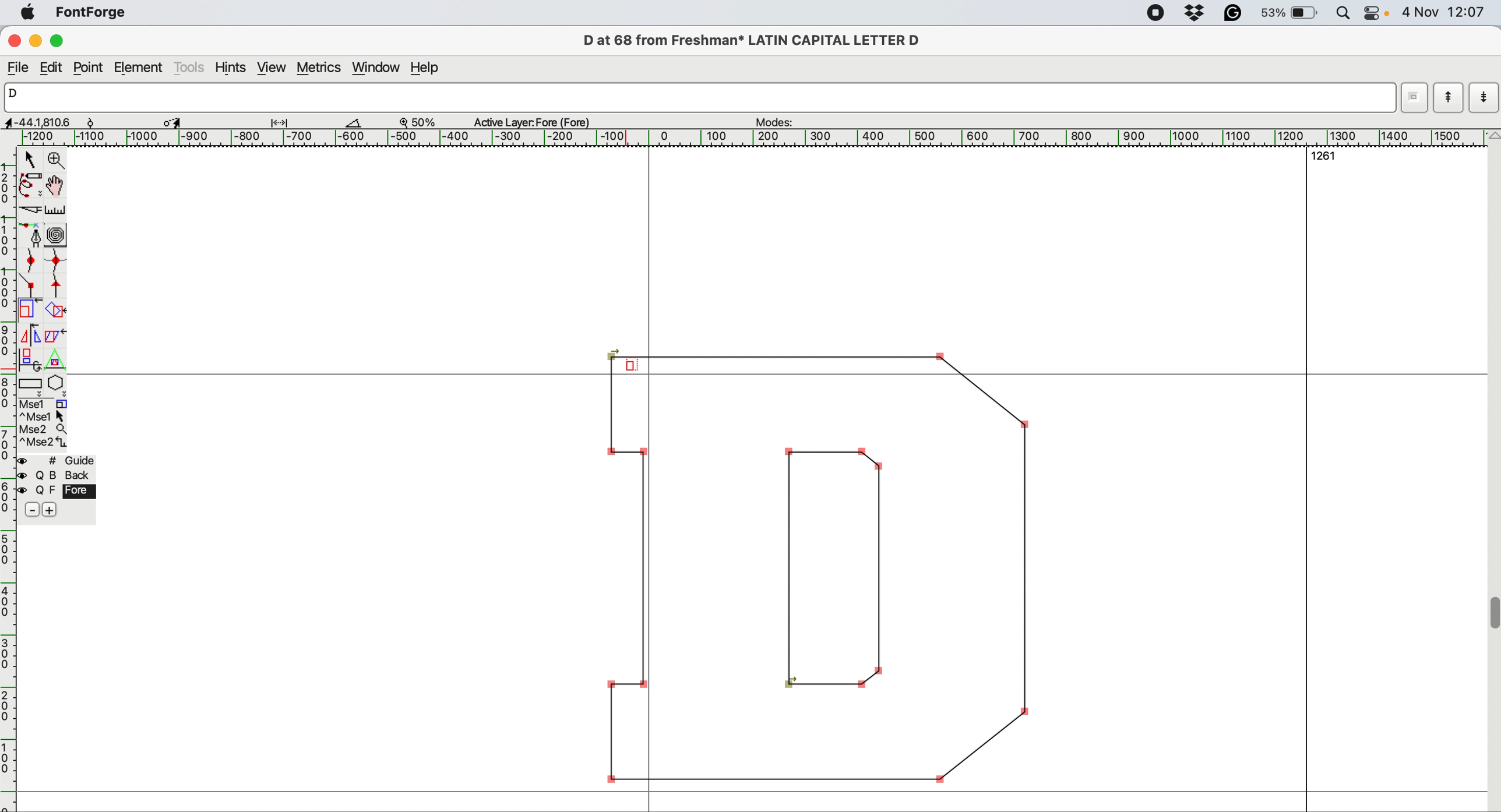 This screenshot has height=812, width=1501. Describe the element at coordinates (56, 187) in the screenshot. I see `draw by hand` at that location.